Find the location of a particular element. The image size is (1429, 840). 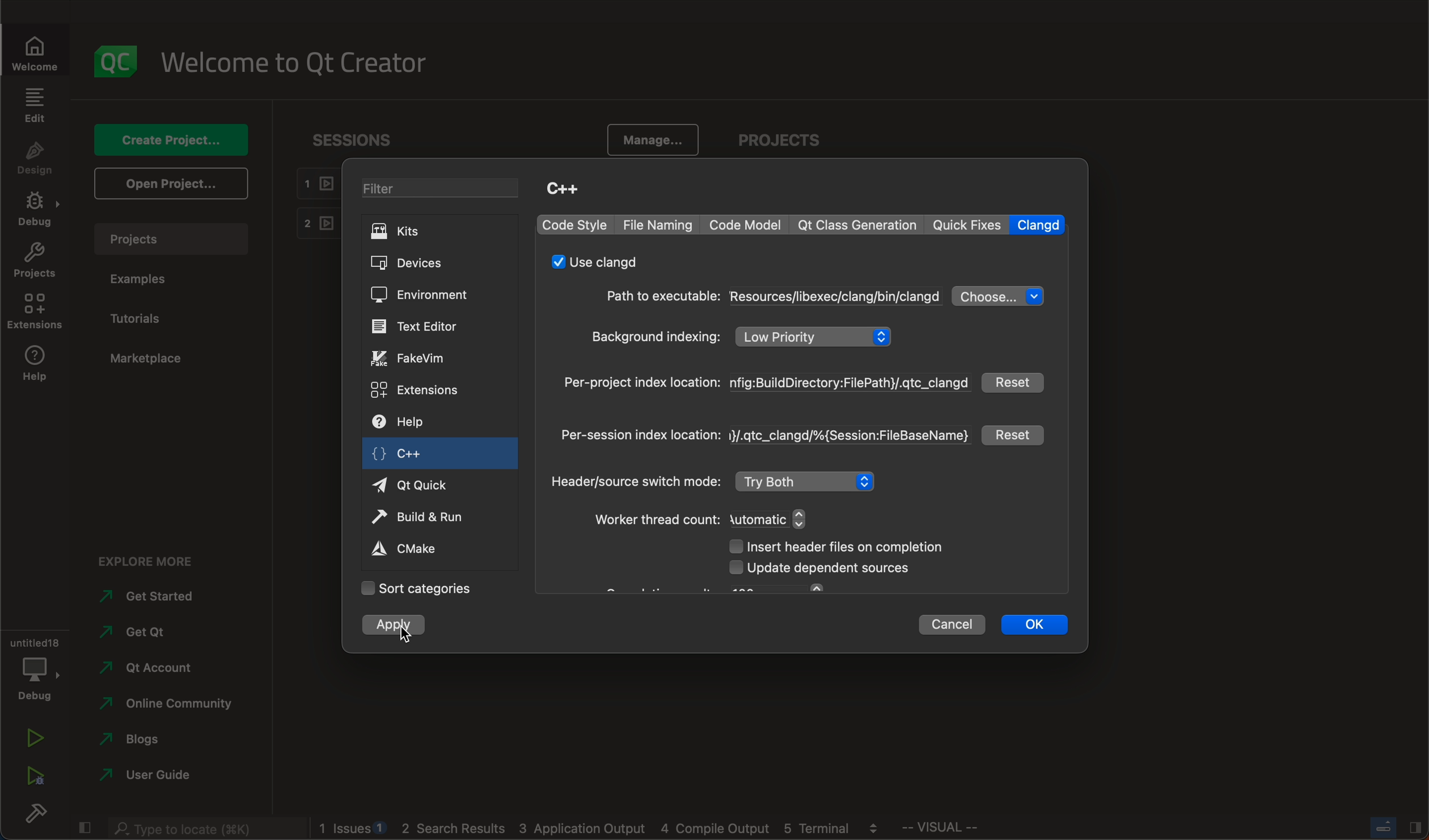

ok is located at coordinates (1043, 624).